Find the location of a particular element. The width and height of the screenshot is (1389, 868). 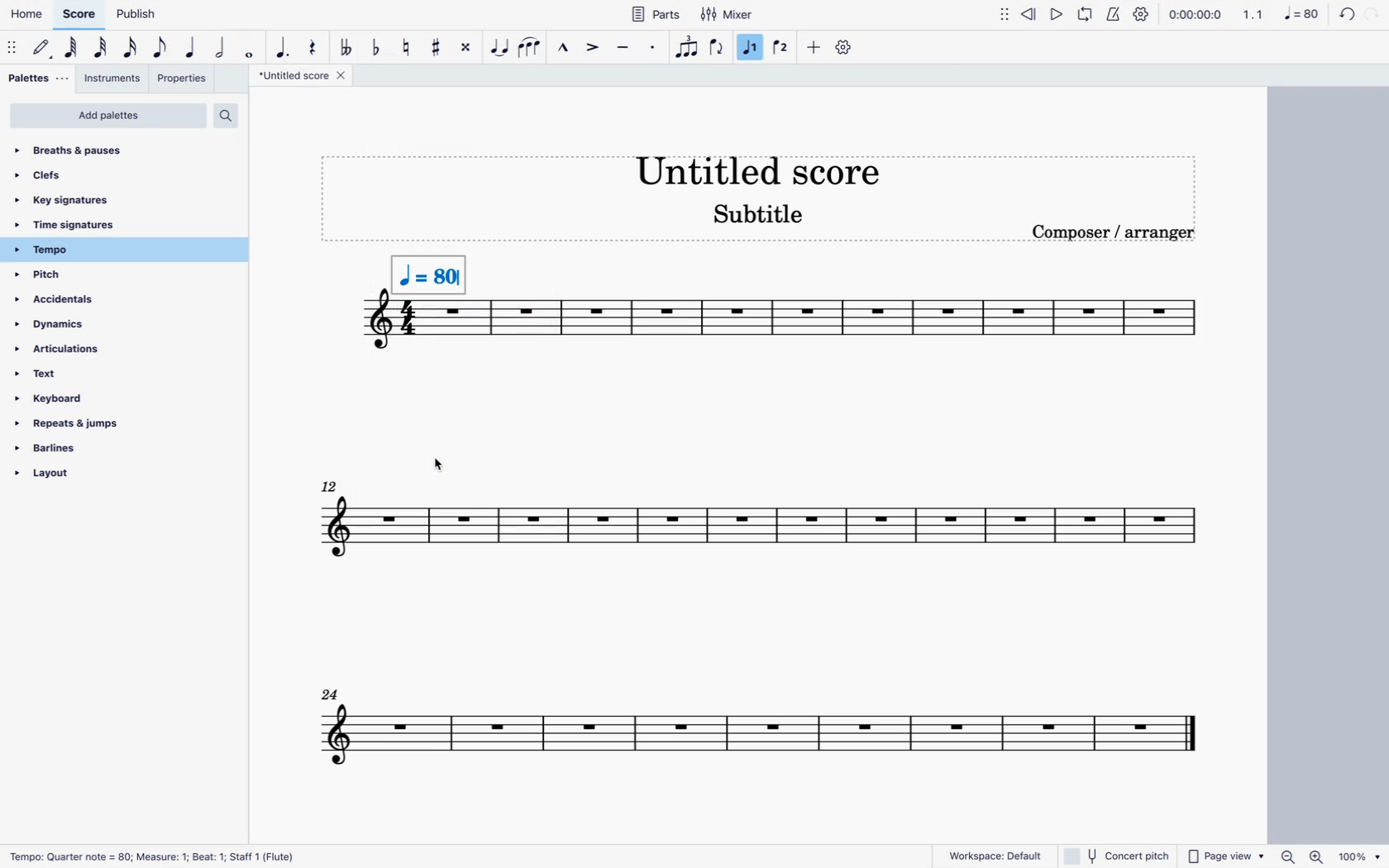

Publish is located at coordinates (132, 12).